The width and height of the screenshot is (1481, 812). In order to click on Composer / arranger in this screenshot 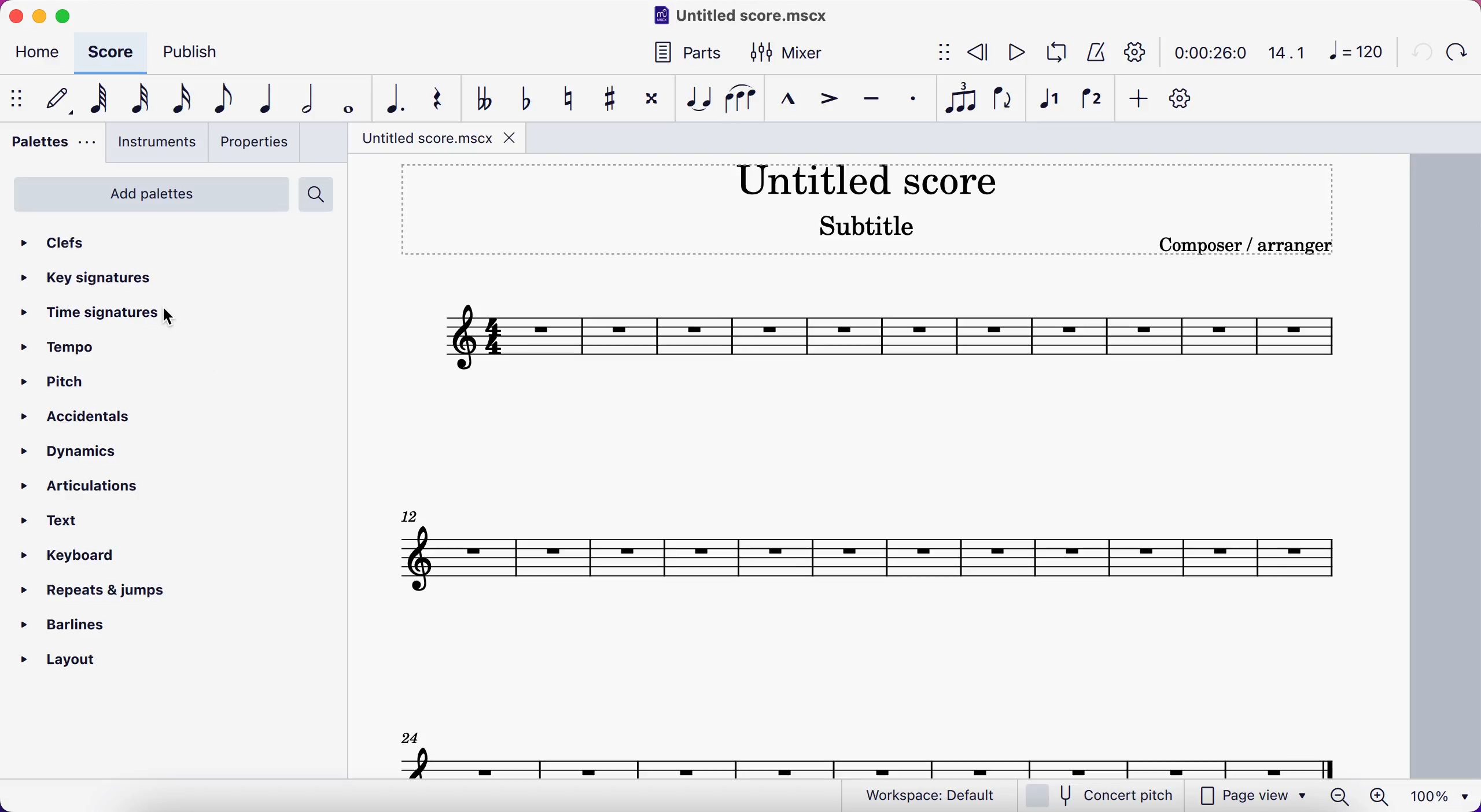, I will do `click(1243, 245)`.